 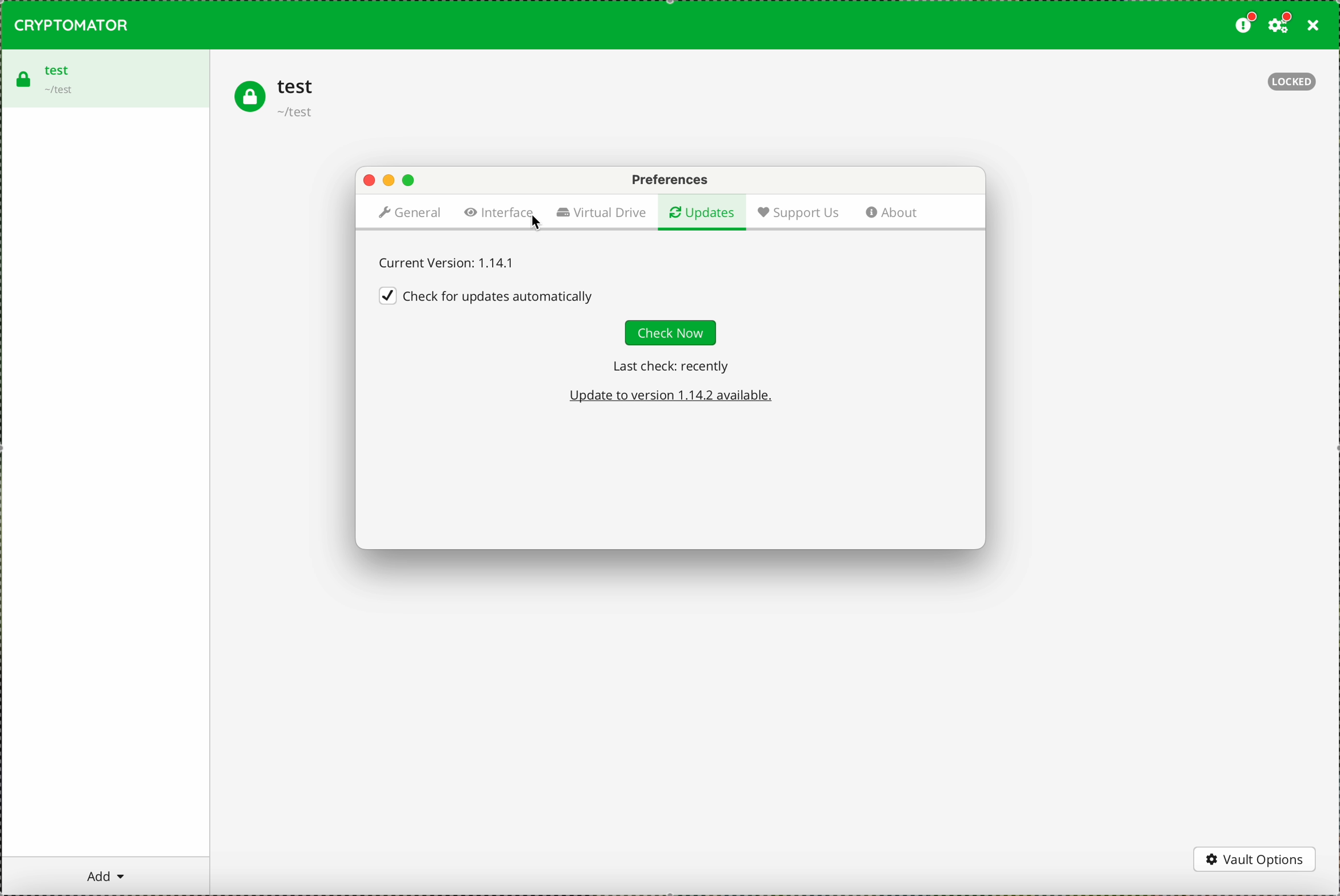 What do you see at coordinates (1257, 858) in the screenshot?
I see `vault options` at bounding box center [1257, 858].